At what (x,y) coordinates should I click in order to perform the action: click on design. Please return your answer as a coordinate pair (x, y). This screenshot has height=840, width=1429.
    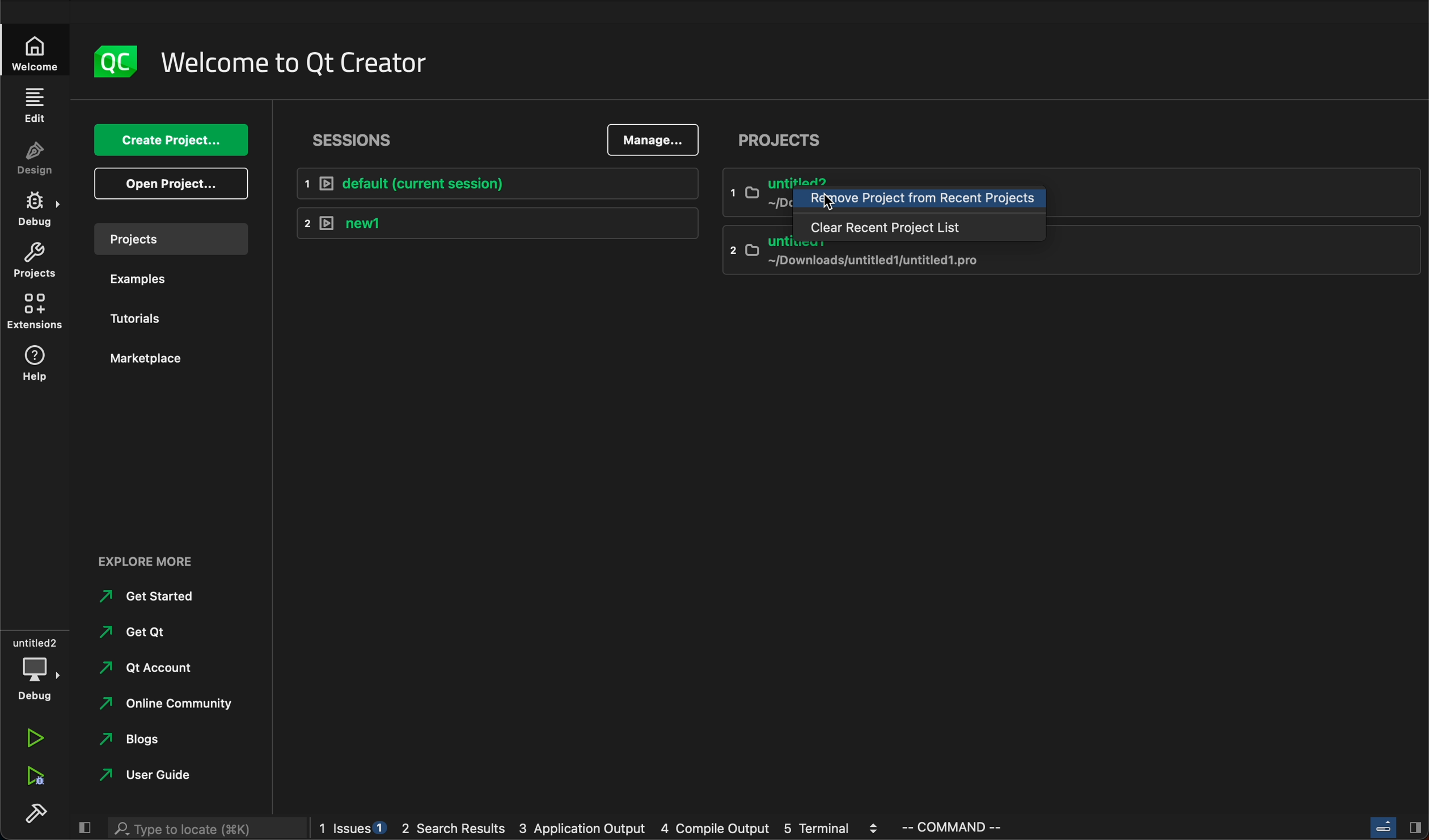
    Looking at the image, I should click on (39, 156).